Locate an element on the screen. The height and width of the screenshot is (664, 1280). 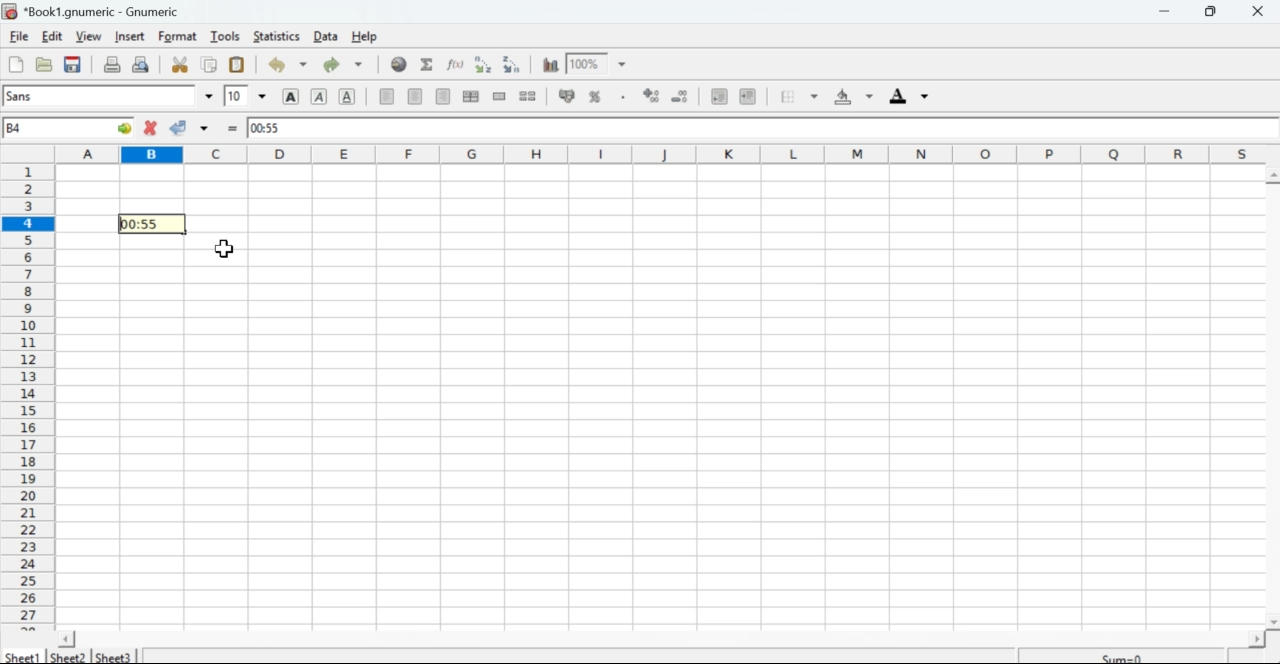
Underline is located at coordinates (349, 96).